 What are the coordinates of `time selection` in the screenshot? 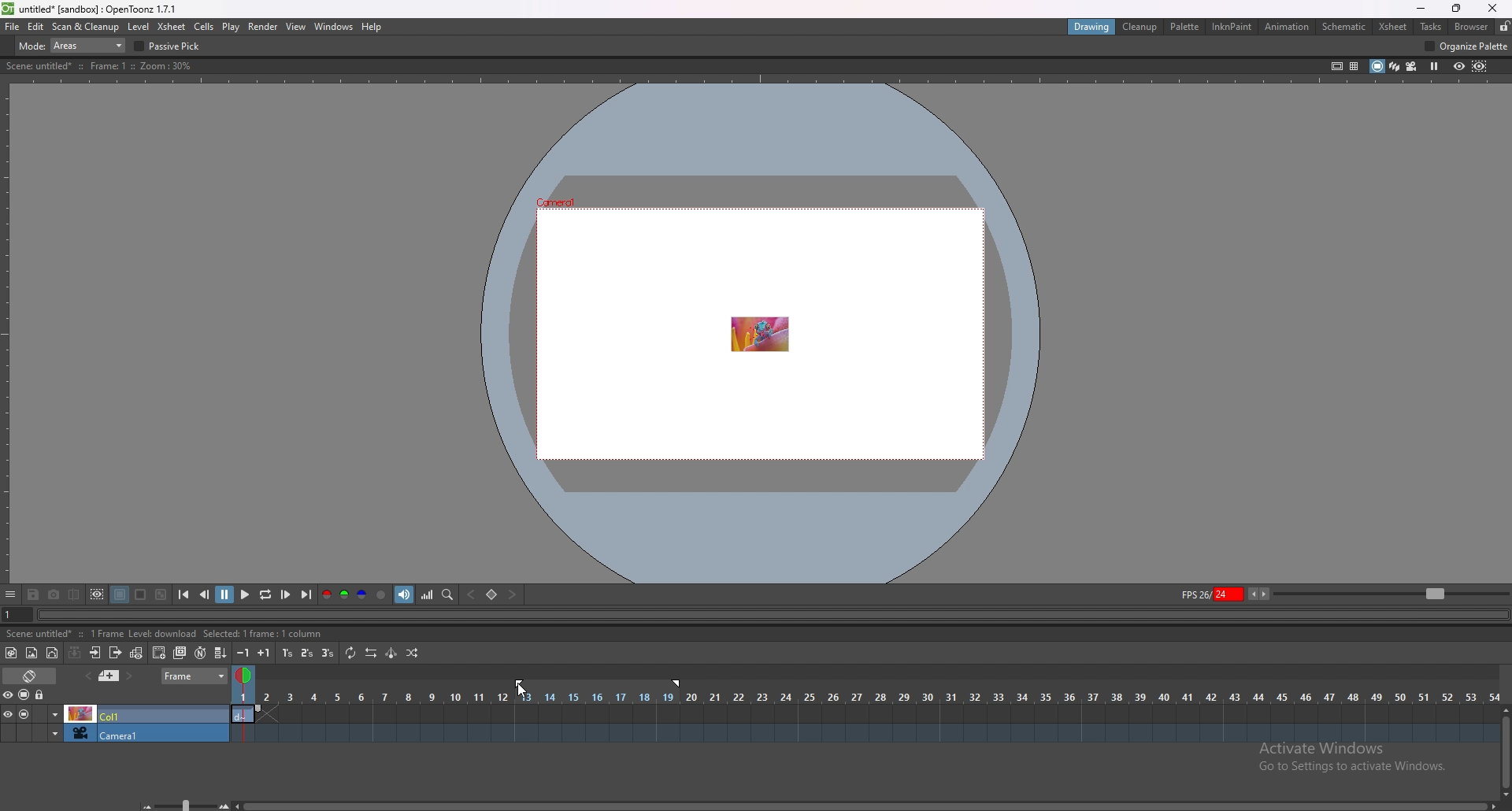 It's located at (242, 672).